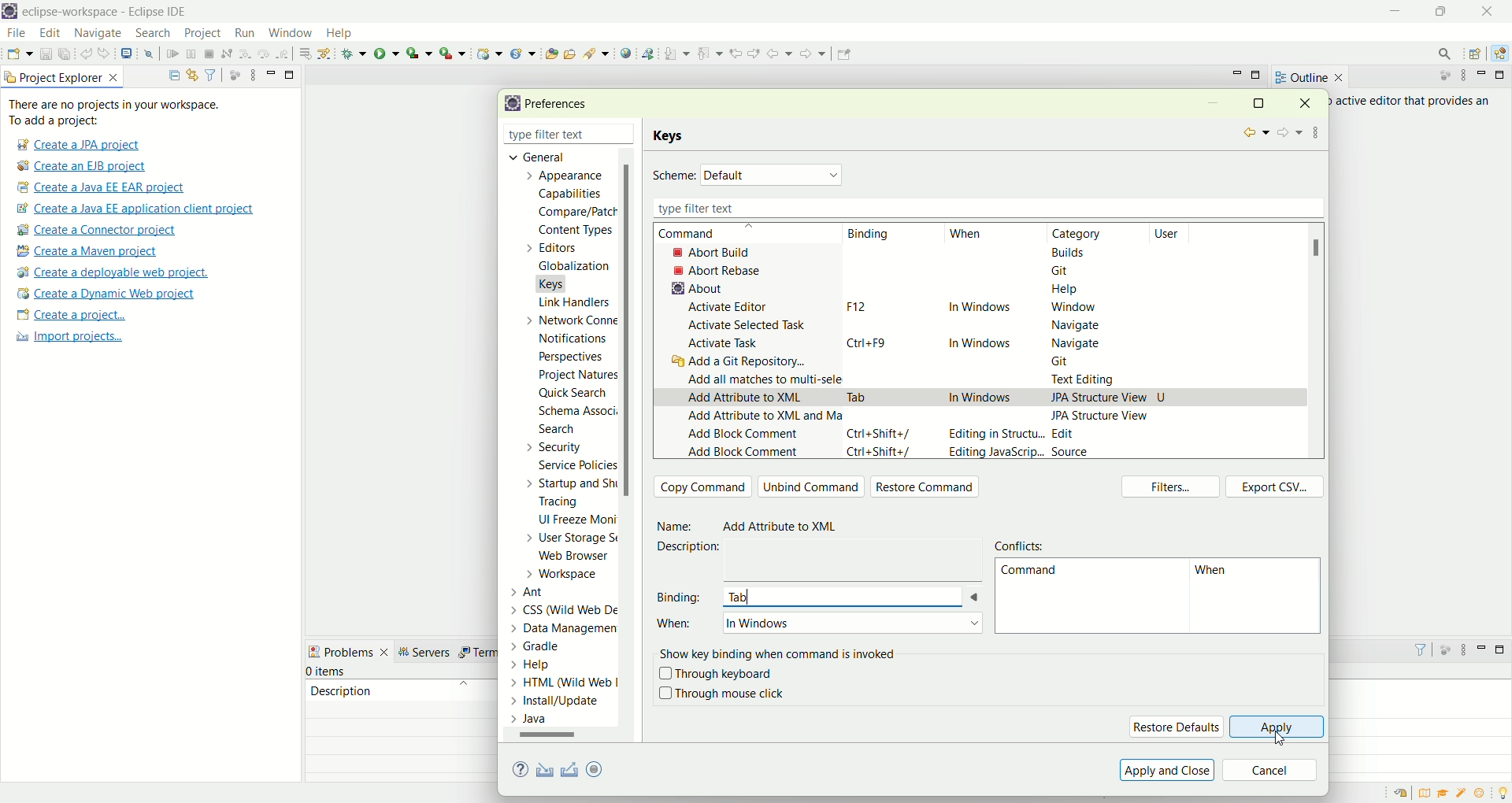  What do you see at coordinates (812, 487) in the screenshot?
I see `unbind command` at bounding box center [812, 487].